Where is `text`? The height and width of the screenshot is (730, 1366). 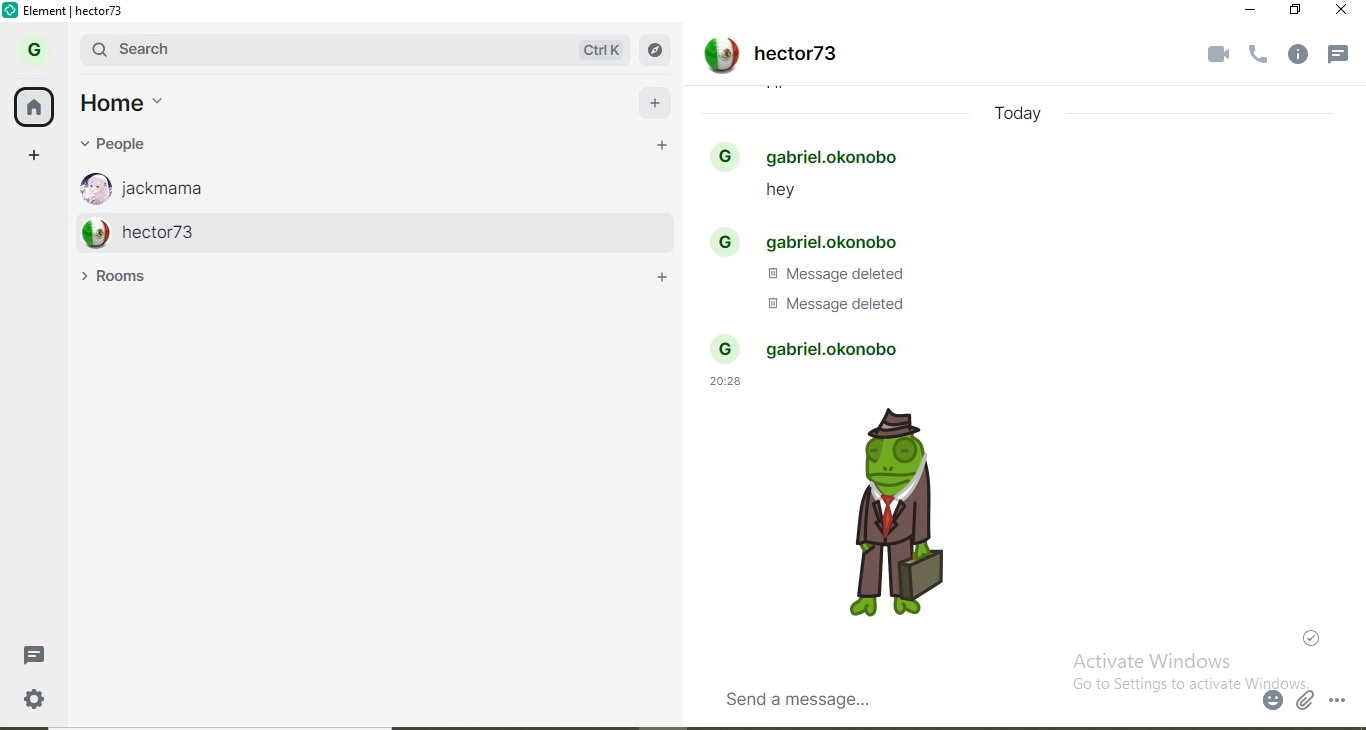 text is located at coordinates (777, 192).